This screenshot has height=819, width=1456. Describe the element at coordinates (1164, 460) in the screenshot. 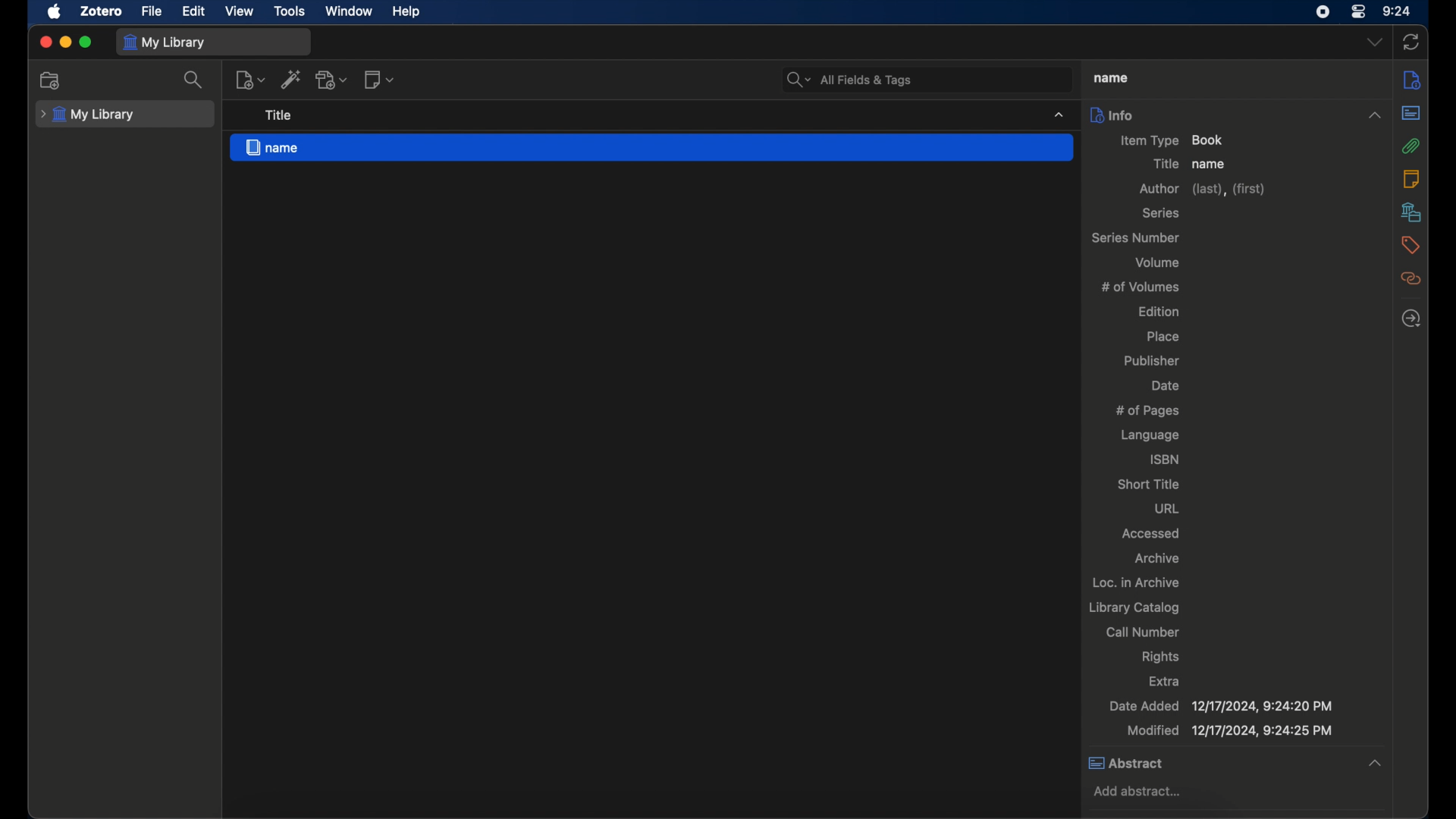

I see `isbn` at that location.